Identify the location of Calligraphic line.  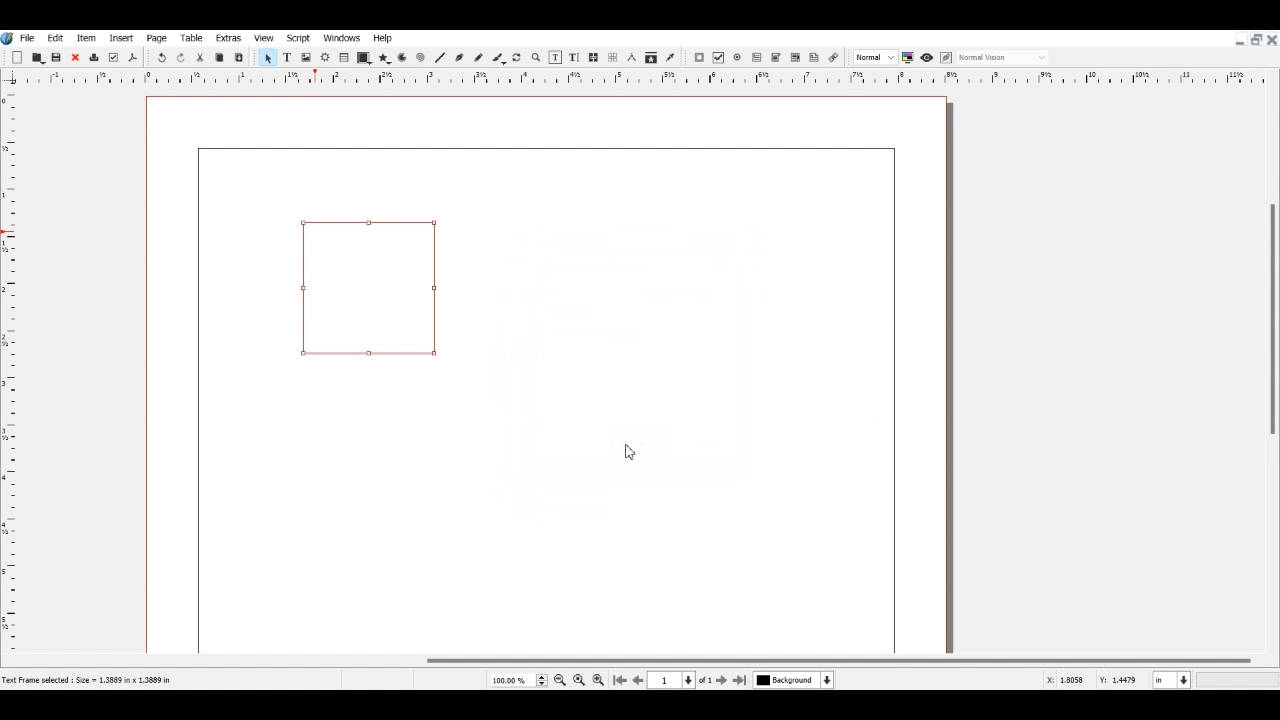
(499, 58).